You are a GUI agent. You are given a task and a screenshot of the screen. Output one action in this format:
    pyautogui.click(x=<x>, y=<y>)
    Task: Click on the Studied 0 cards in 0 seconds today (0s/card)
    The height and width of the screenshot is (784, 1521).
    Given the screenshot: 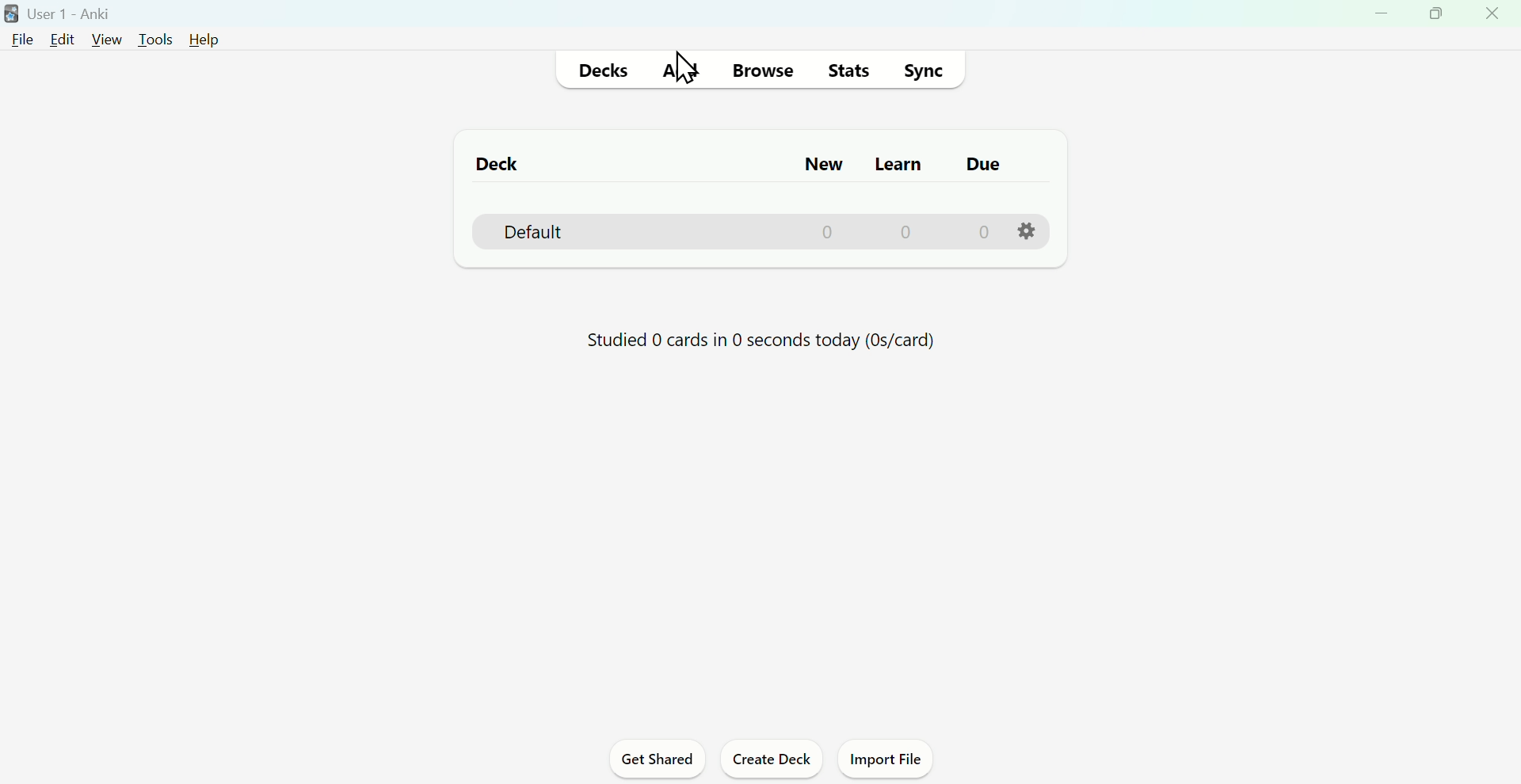 What is the action you would take?
    pyautogui.click(x=761, y=341)
    